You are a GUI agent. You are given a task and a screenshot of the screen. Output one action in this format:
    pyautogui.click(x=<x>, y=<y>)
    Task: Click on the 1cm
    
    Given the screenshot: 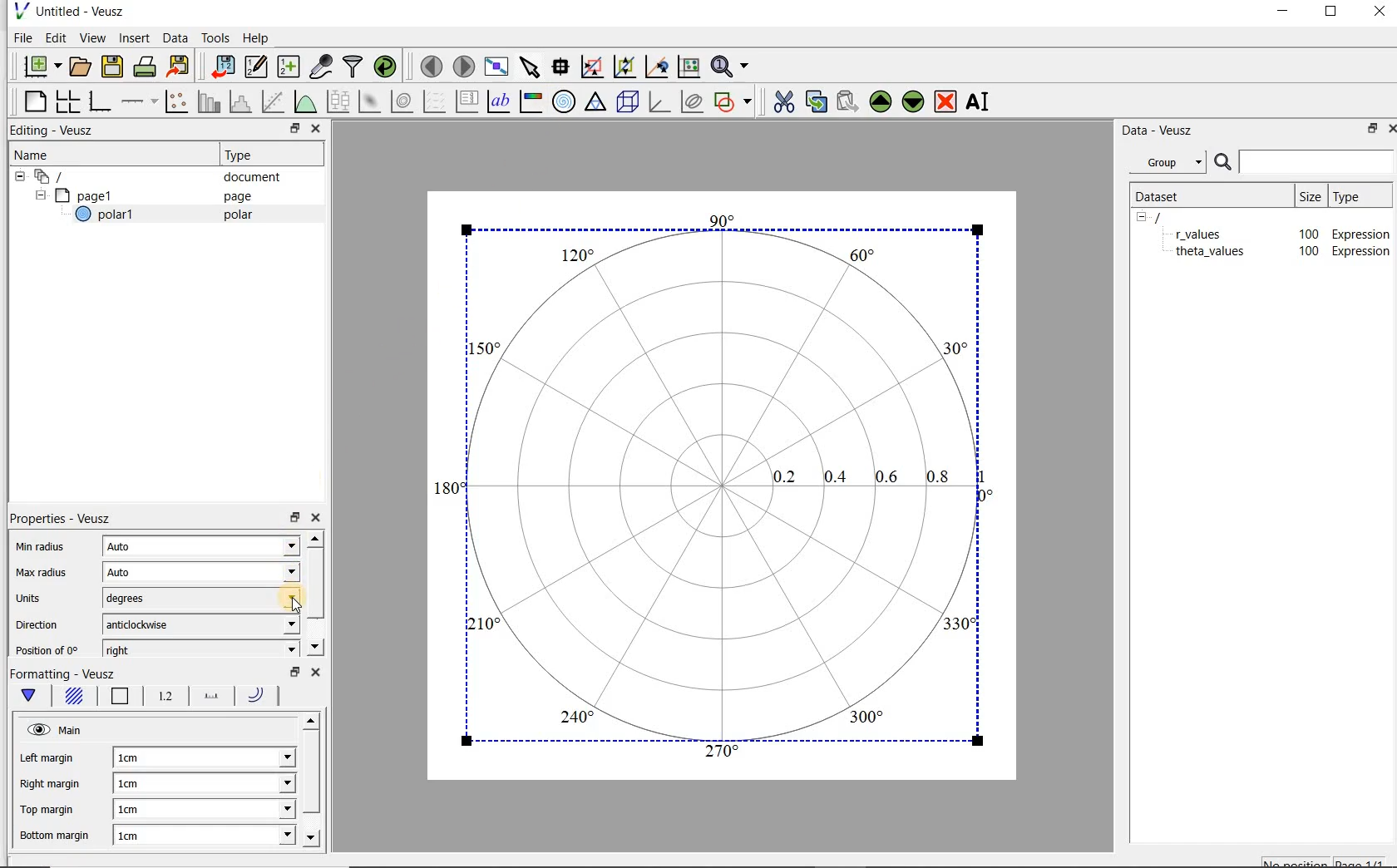 What is the action you would take?
    pyautogui.click(x=135, y=785)
    